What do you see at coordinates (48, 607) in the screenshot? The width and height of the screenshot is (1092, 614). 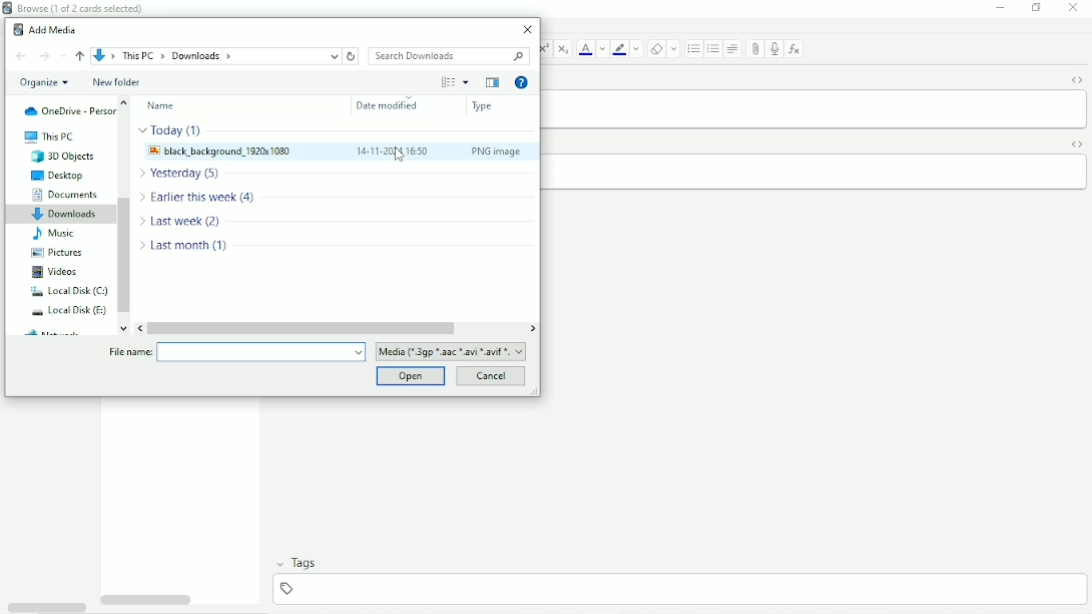 I see `Toggle HTML Editor` at bounding box center [48, 607].